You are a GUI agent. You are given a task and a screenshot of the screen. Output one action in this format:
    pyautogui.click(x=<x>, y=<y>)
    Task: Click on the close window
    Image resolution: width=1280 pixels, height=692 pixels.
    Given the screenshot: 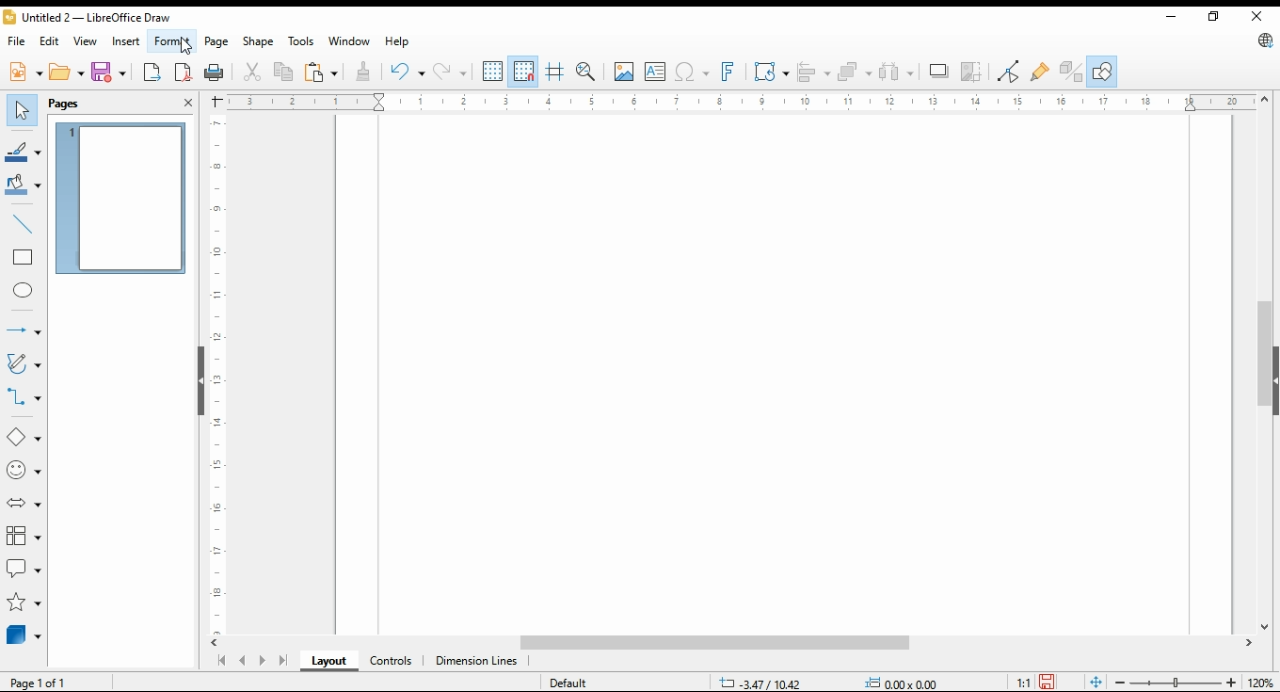 What is the action you would take?
    pyautogui.click(x=1258, y=16)
    